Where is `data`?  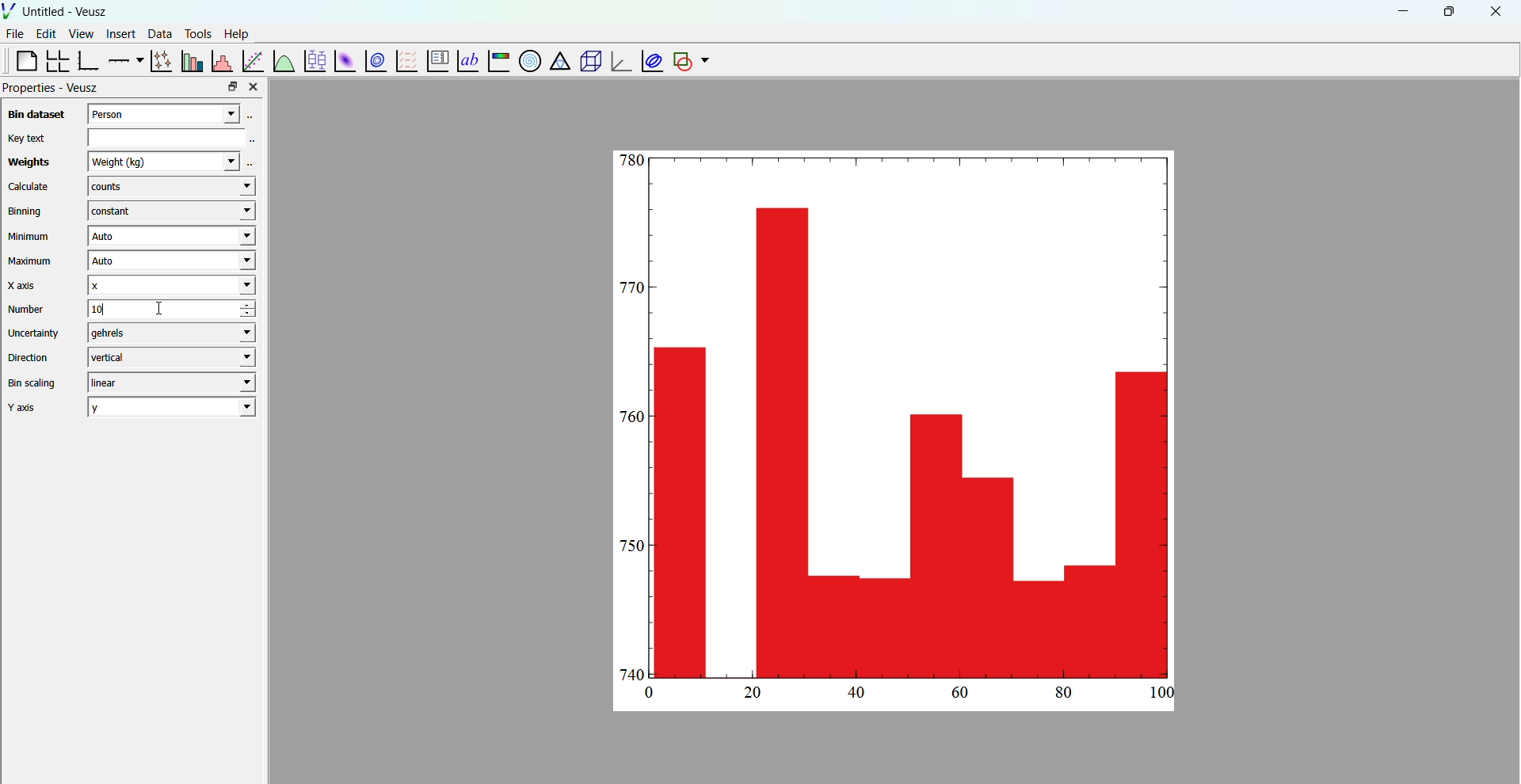 data is located at coordinates (158, 33).